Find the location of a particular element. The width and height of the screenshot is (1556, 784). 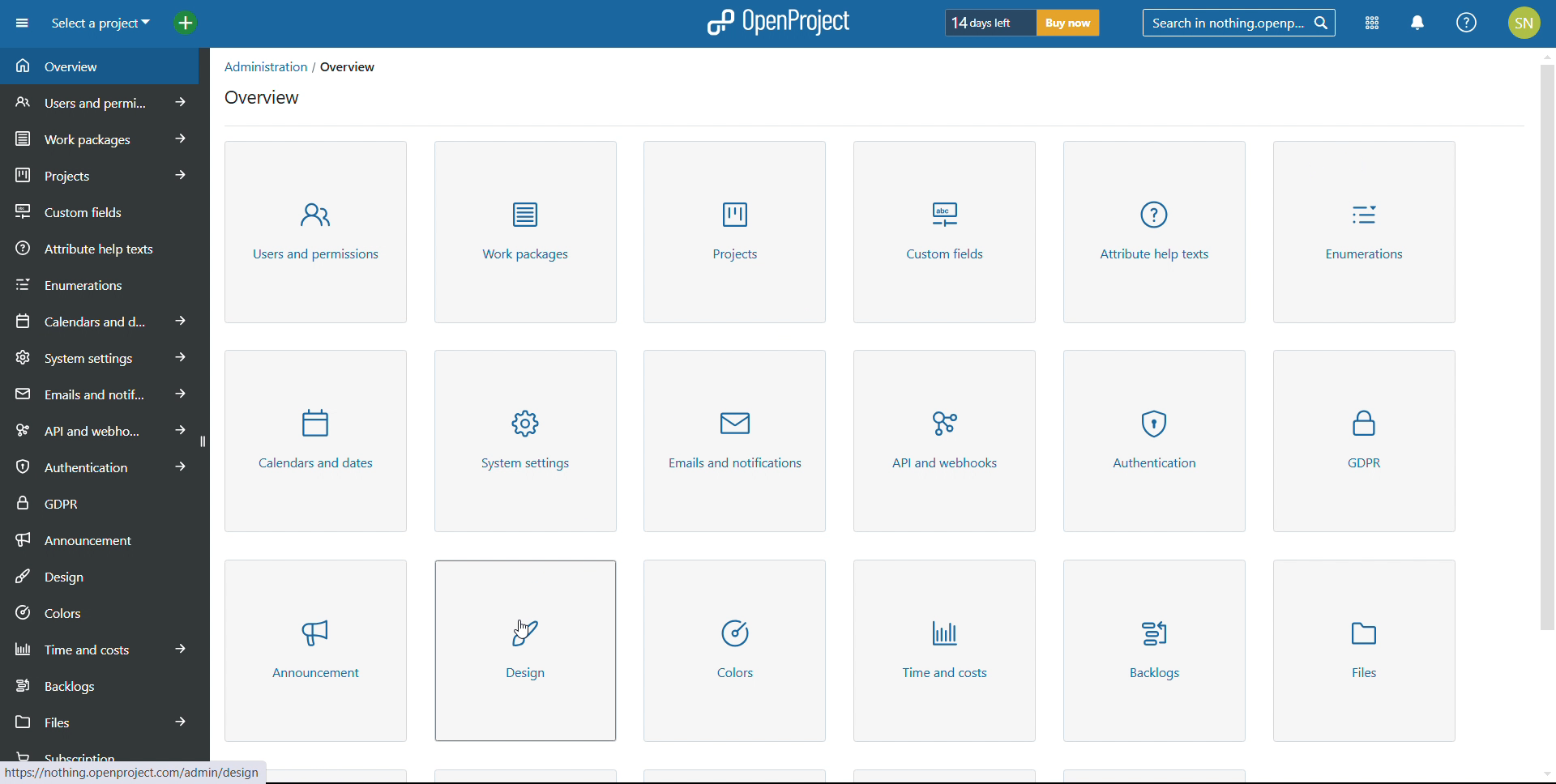

custom fields is located at coordinates (105, 207).